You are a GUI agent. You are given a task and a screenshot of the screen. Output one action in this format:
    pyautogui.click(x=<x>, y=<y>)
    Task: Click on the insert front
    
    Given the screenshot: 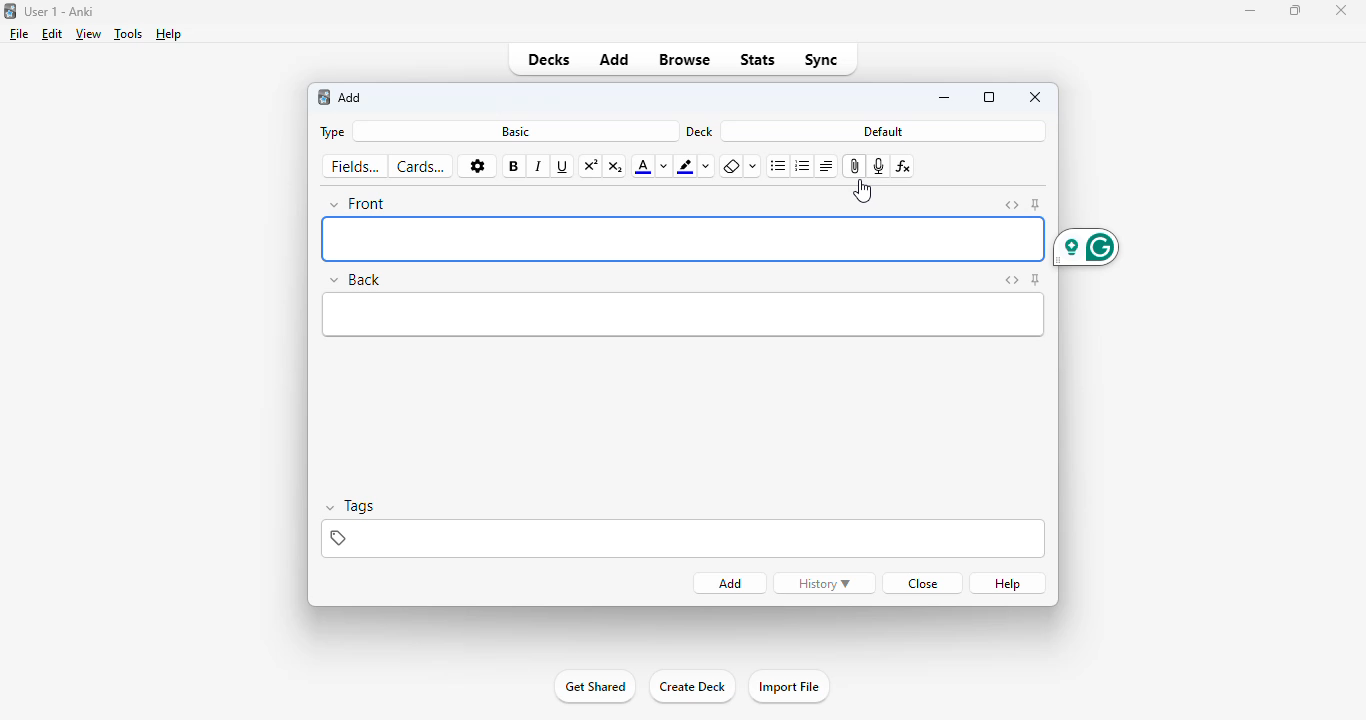 What is the action you would take?
    pyautogui.click(x=684, y=239)
    